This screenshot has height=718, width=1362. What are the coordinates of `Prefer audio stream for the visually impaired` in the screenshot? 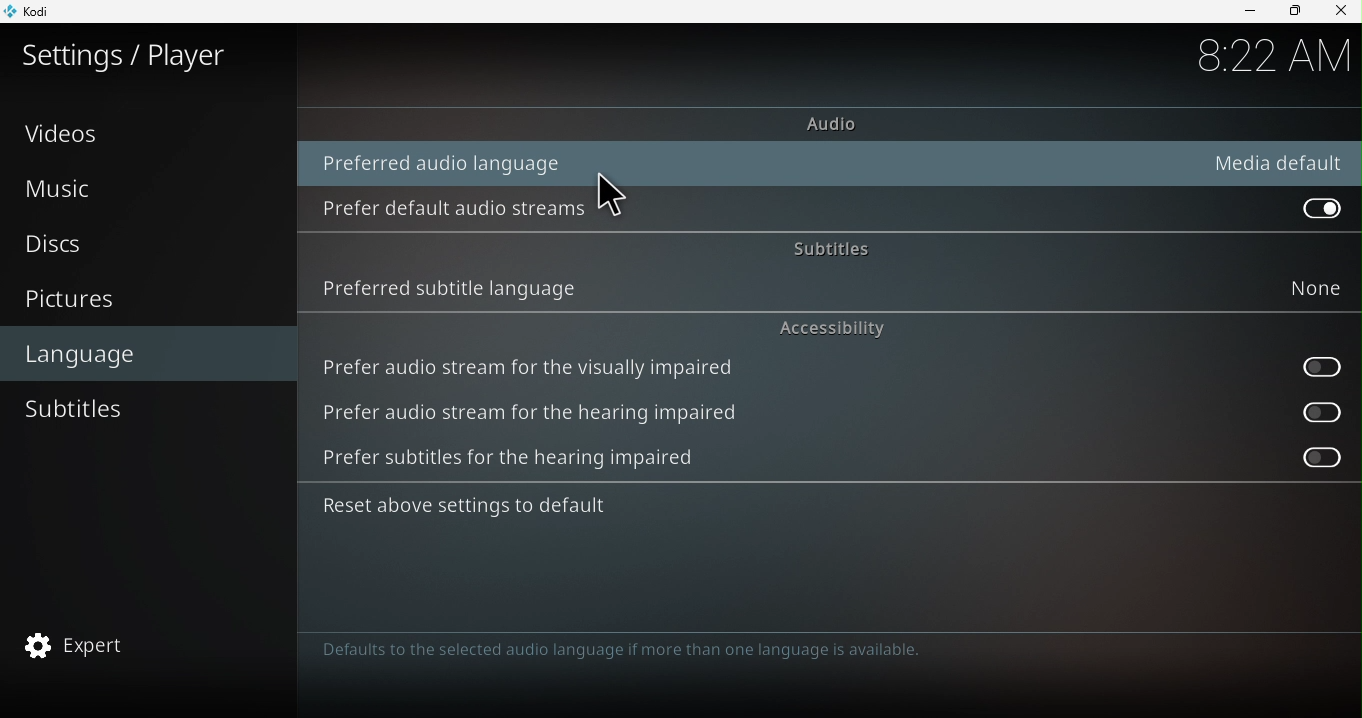 It's located at (1312, 369).